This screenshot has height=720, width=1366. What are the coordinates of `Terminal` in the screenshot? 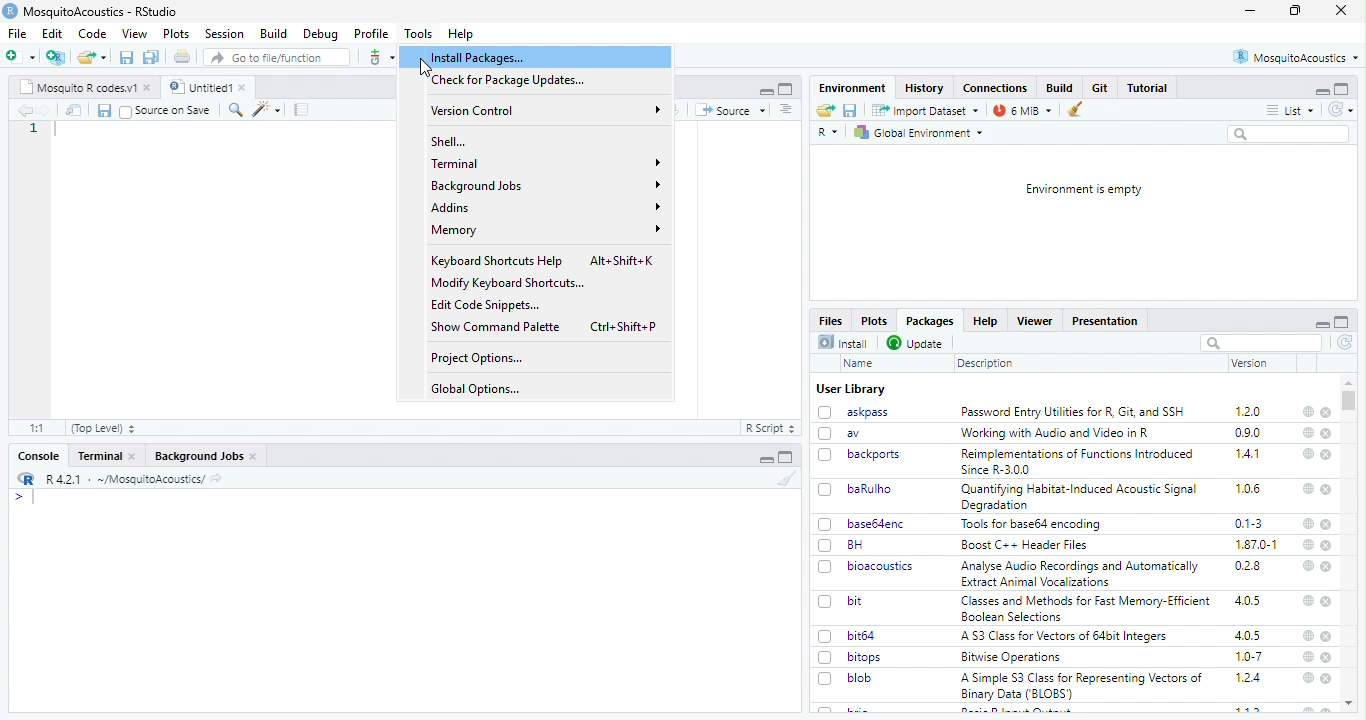 It's located at (546, 163).